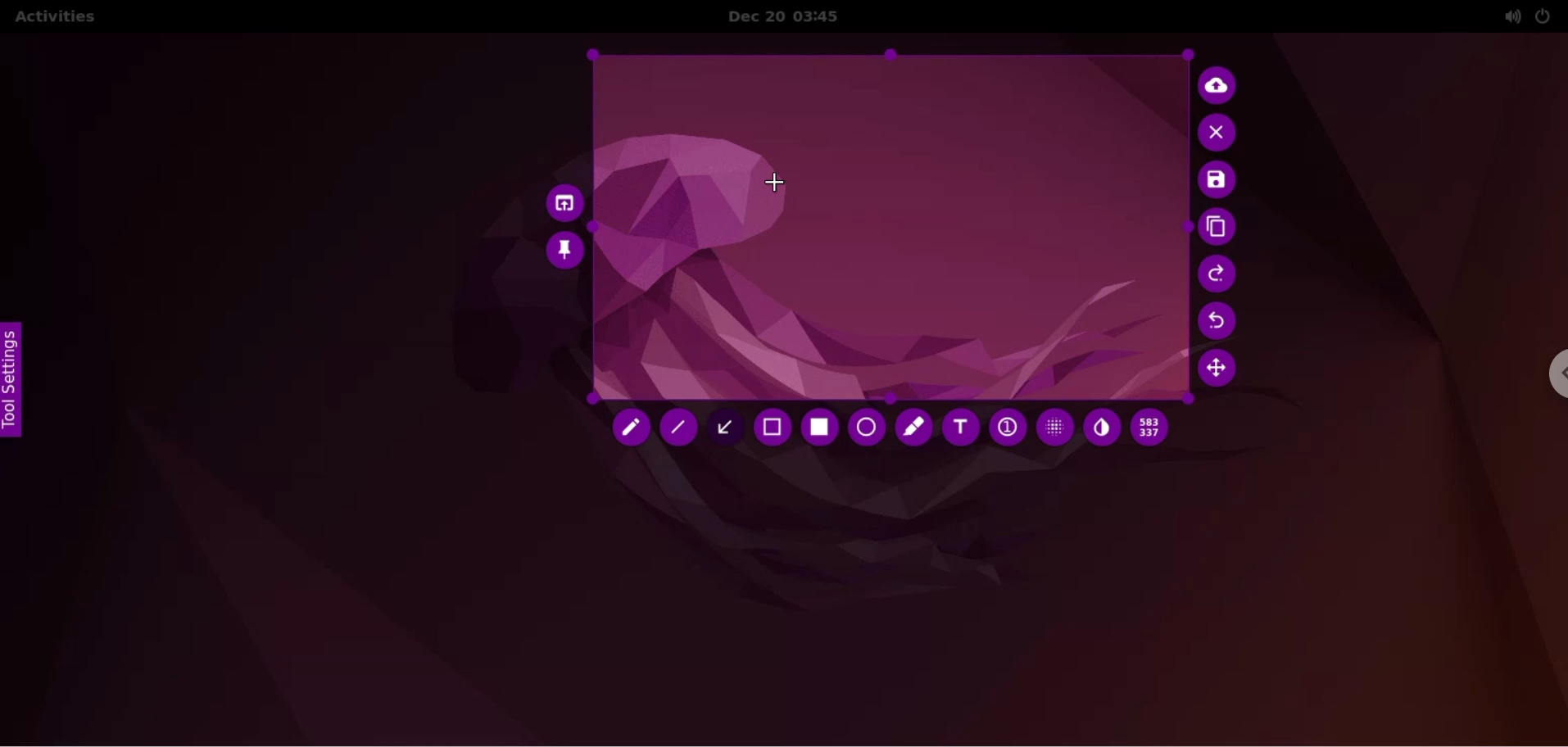 The width and height of the screenshot is (1568, 747). What do you see at coordinates (1221, 321) in the screenshot?
I see `undo` at bounding box center [1221, 321].